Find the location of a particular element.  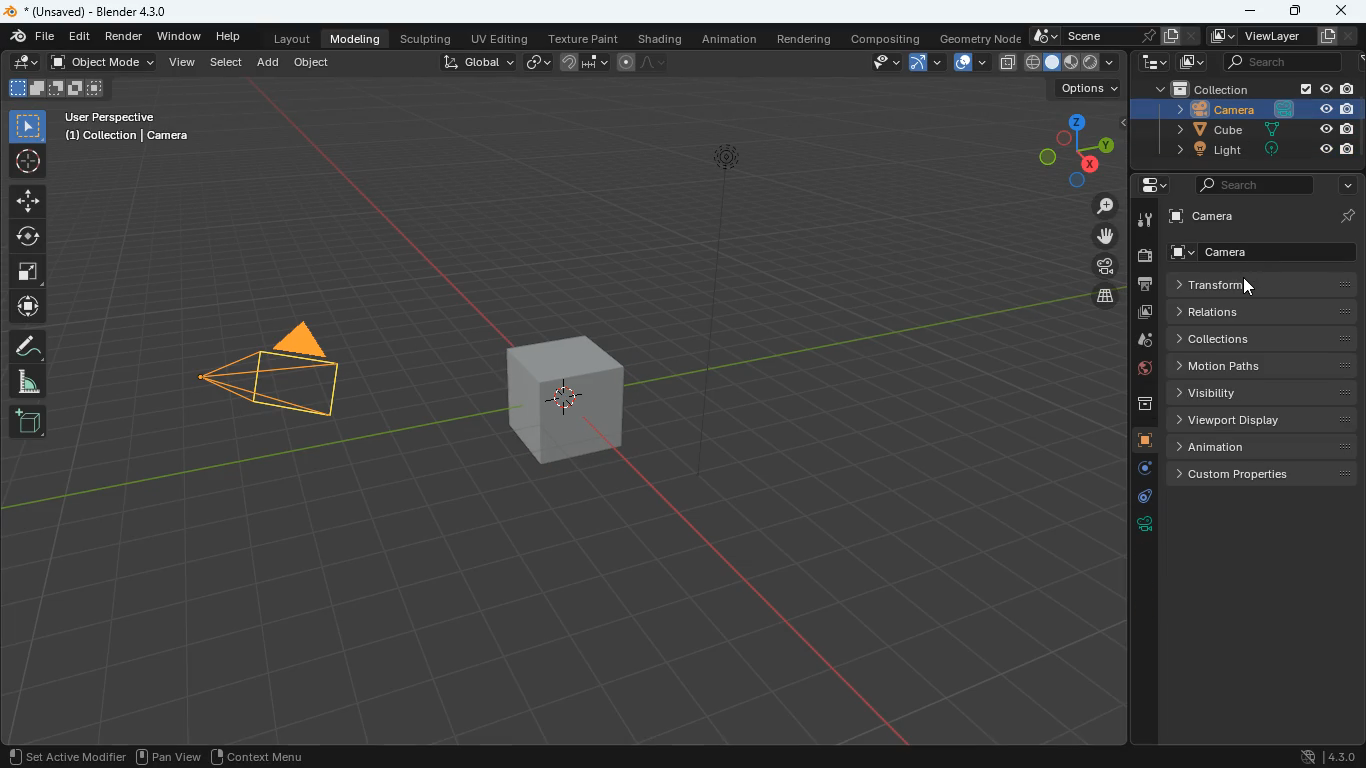

user perspective is located at coordinates (125, 130).